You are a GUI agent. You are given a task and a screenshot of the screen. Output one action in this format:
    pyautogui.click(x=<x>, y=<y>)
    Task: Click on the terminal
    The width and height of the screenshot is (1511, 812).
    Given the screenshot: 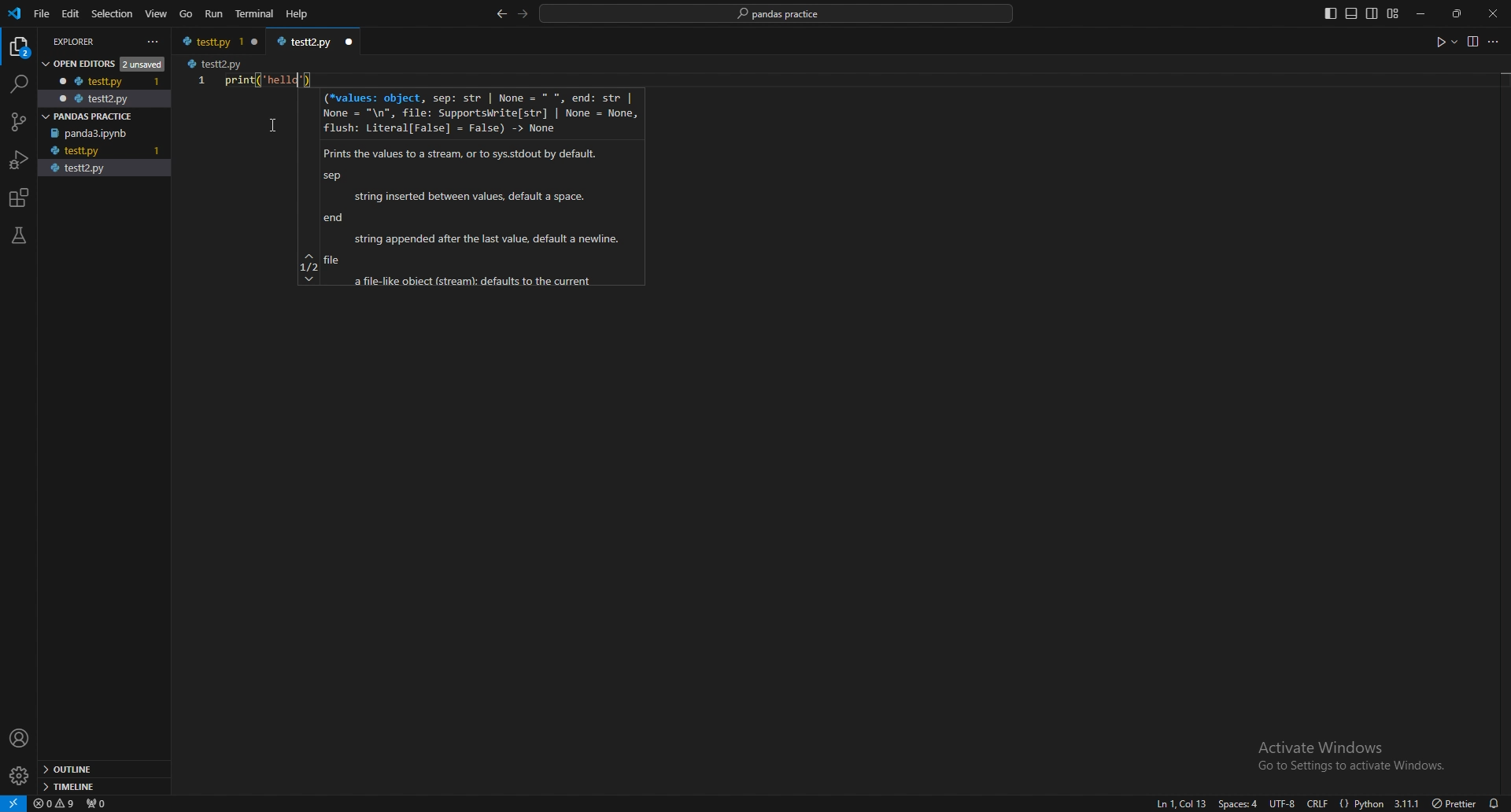 What is the action you would take?
    pyautogui.click(x=256, y=13)
    